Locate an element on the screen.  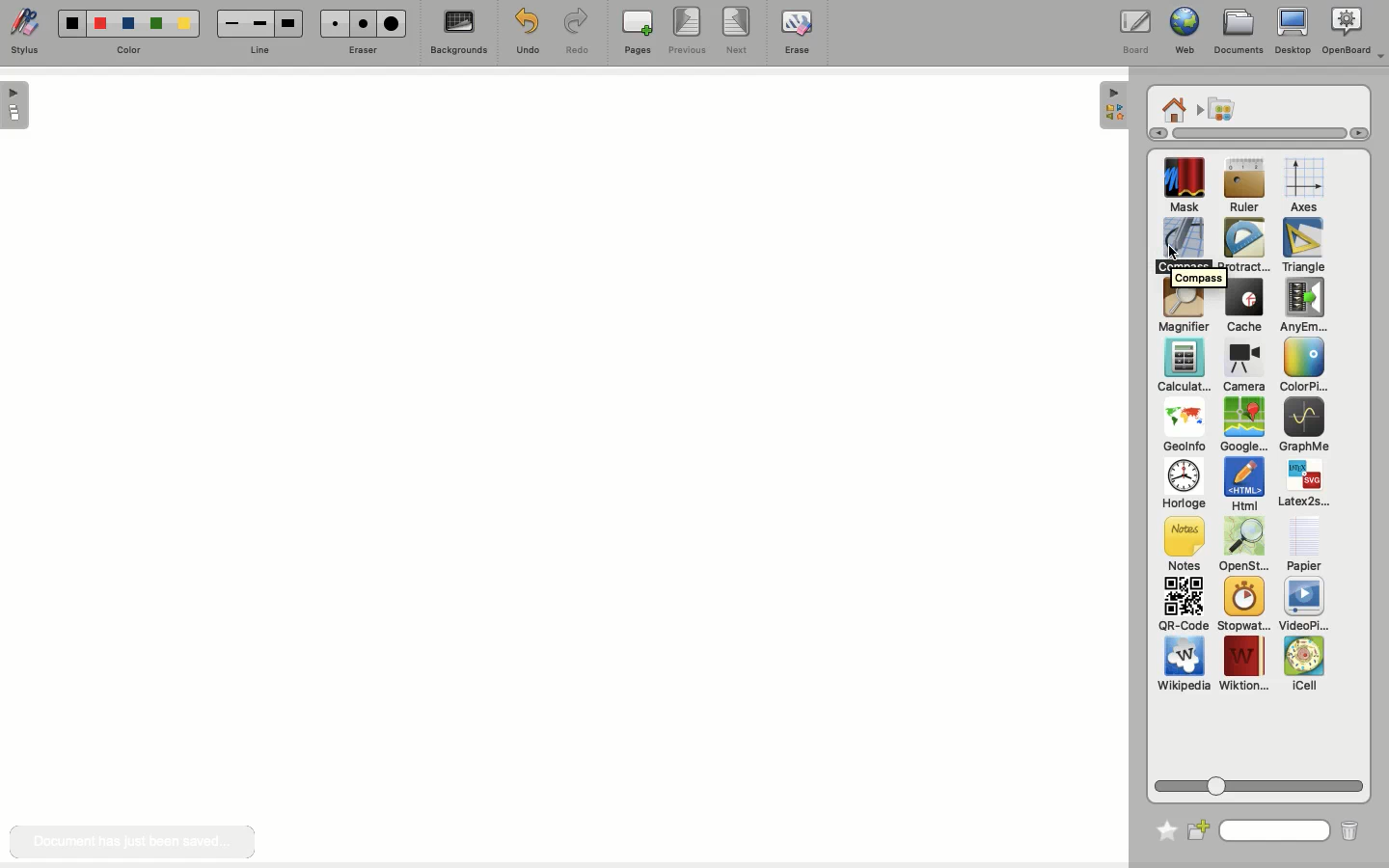
line is located at coordinates (258, 50).